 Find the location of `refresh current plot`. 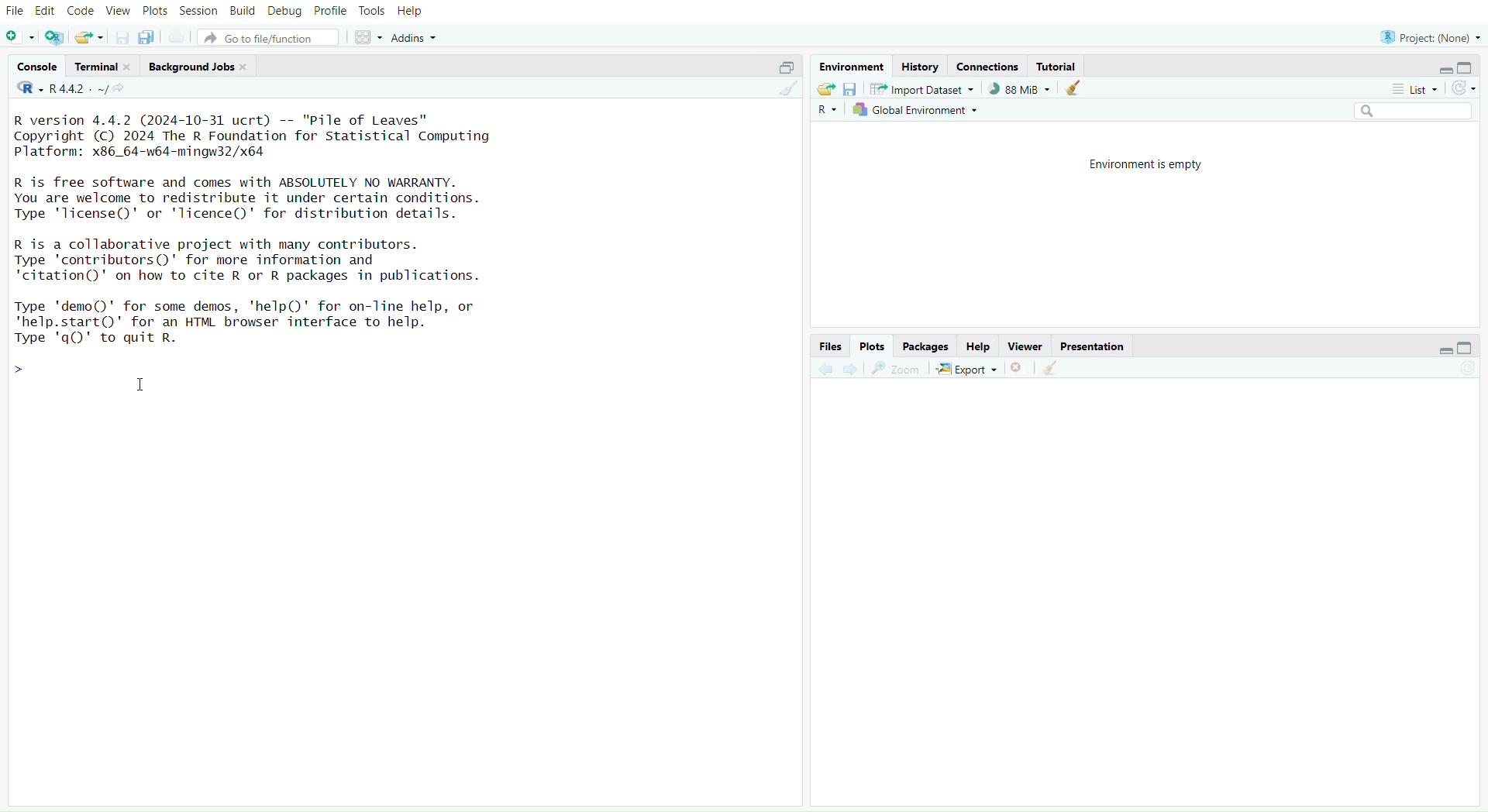

refresh current plot is located at coordinates (1466, 370).